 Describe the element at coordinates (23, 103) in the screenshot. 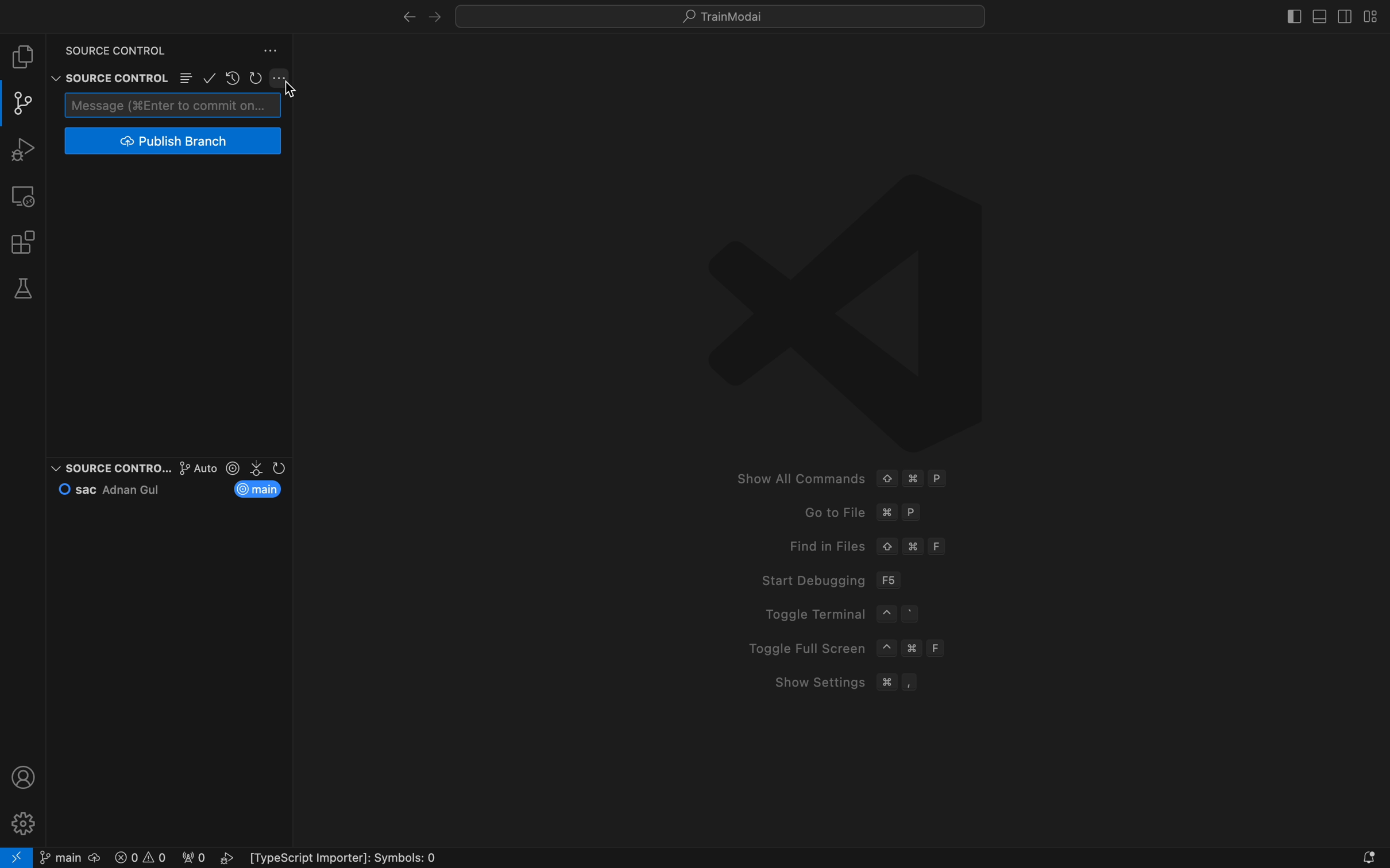

I see `git panel` at that location.